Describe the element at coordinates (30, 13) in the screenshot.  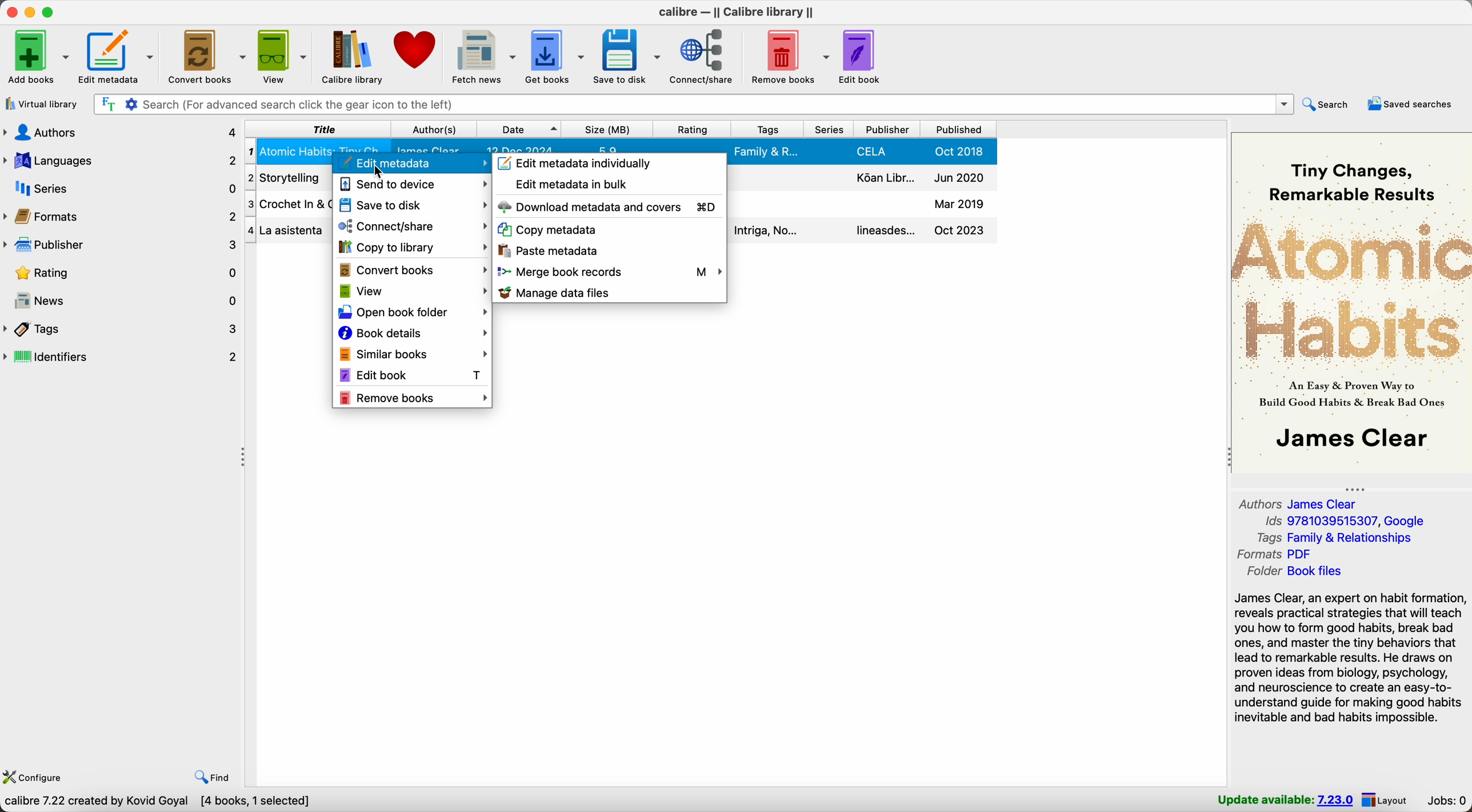
I see `minimize calibre` at that location.